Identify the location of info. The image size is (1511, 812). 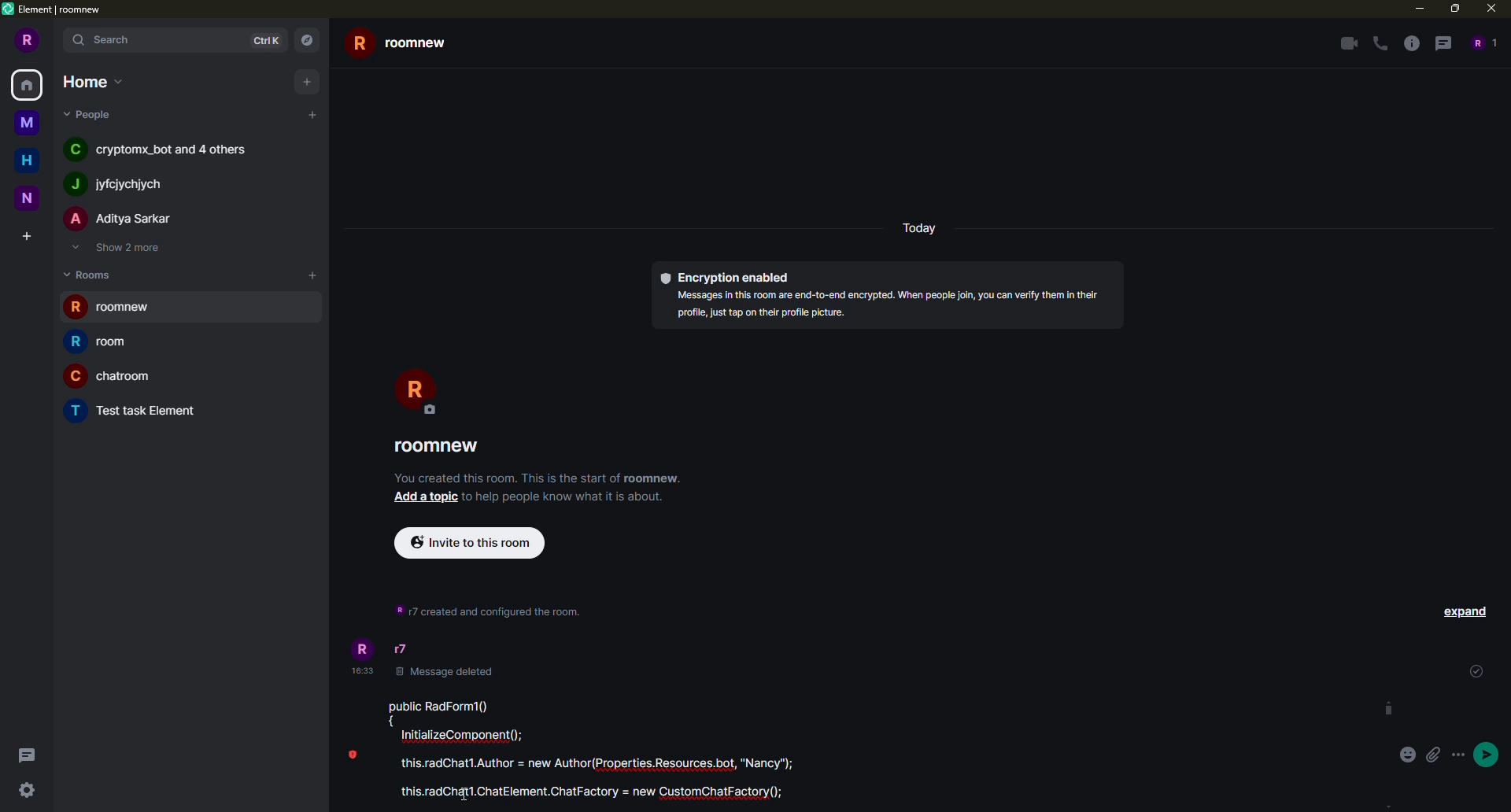
(875, 304).